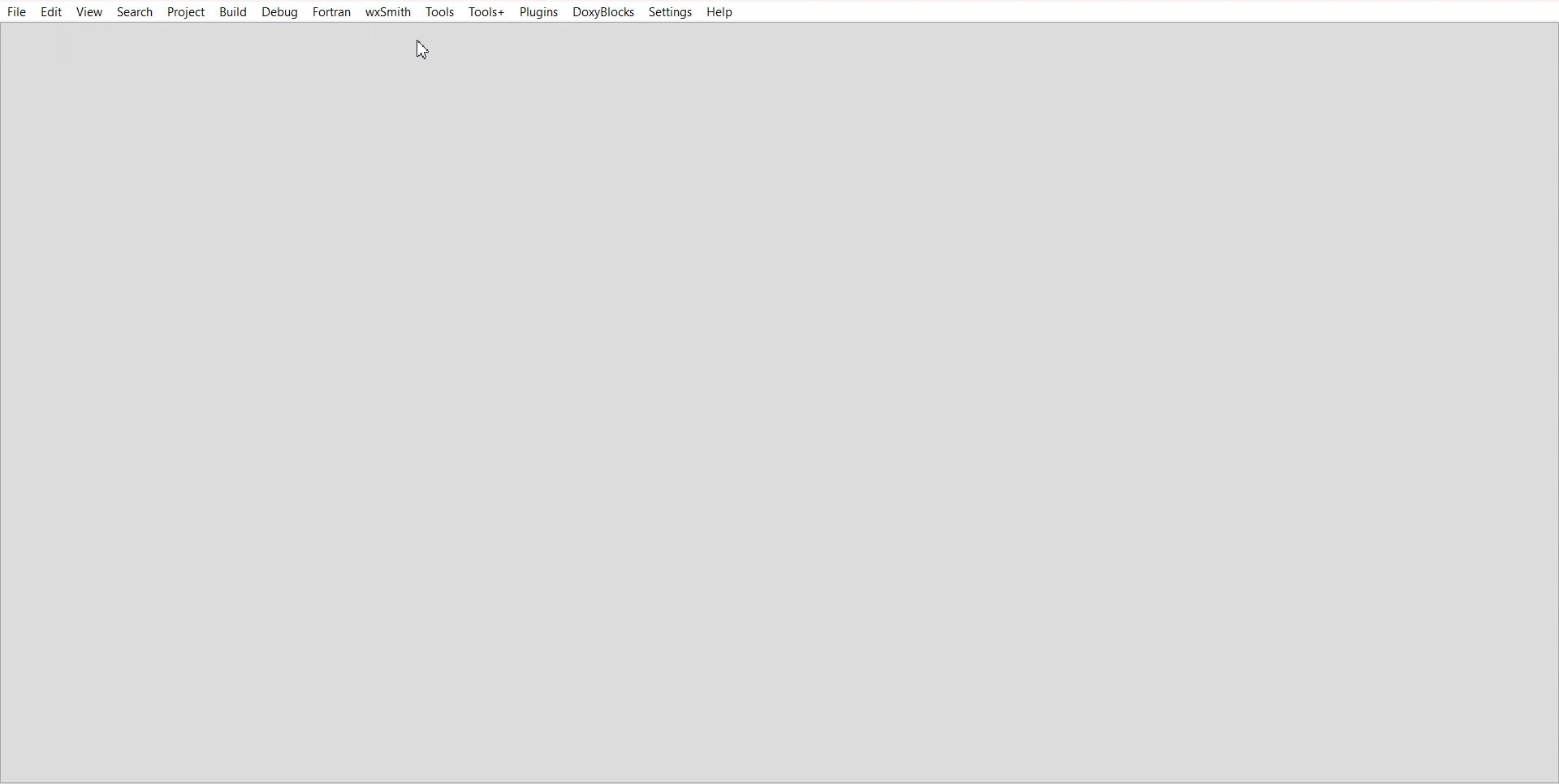  I want to click on Cursor, so click(423, 50).